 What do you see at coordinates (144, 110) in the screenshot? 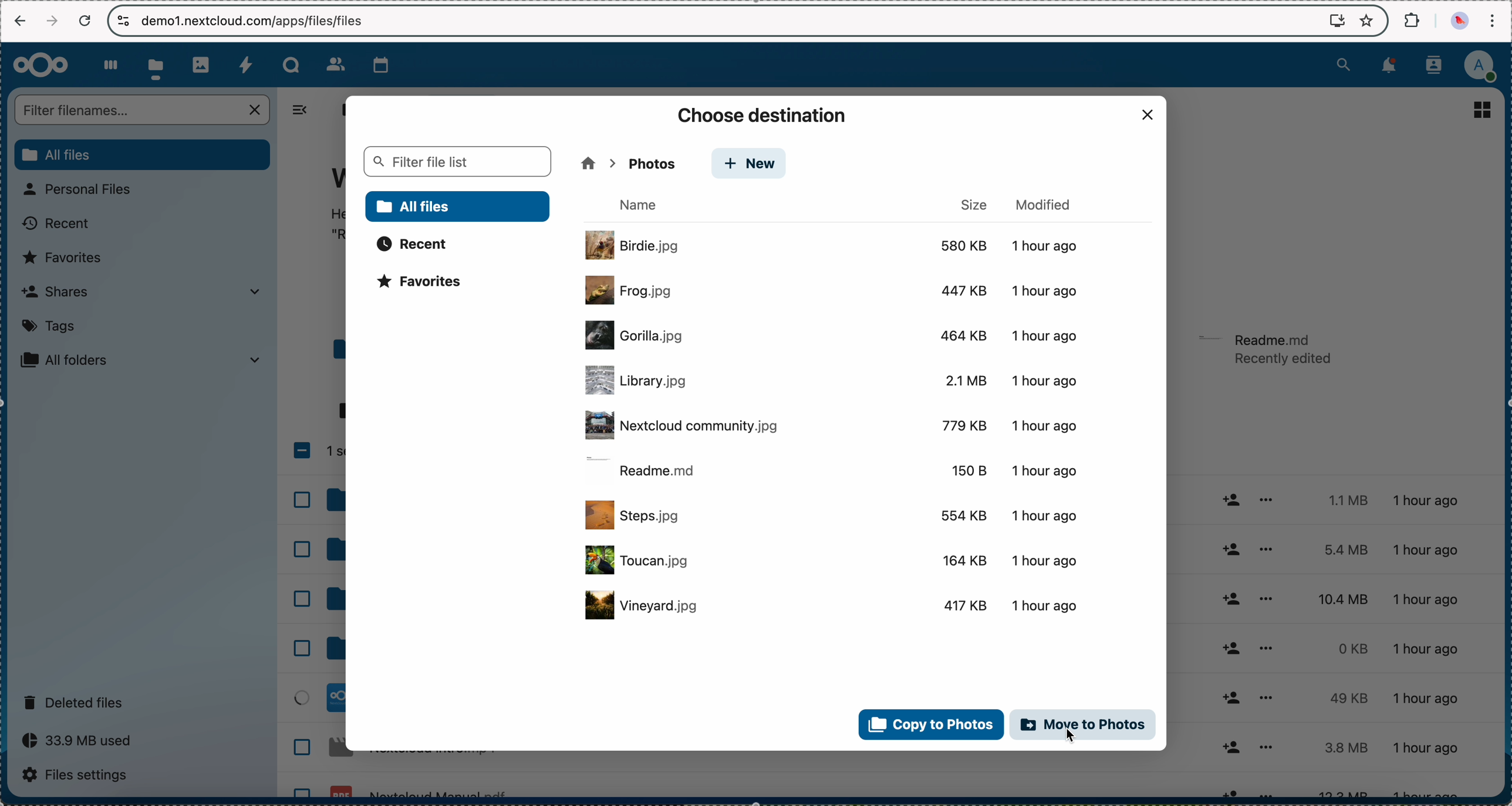
I see `search bar` at bounding box center [144, 110].